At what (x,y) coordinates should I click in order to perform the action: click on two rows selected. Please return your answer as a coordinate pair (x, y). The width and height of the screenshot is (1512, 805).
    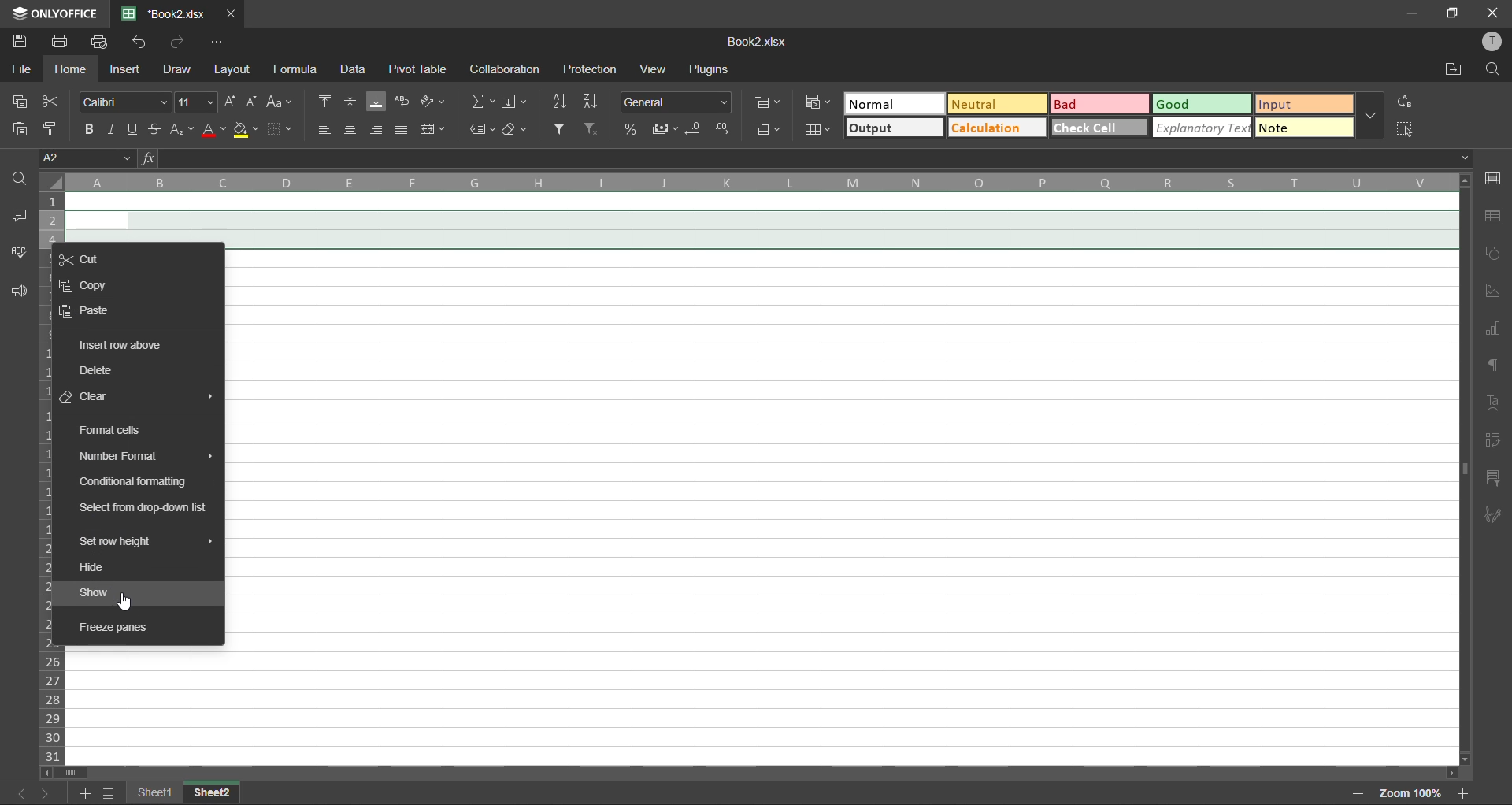
    Looking at the image, I should click on (759, 228).